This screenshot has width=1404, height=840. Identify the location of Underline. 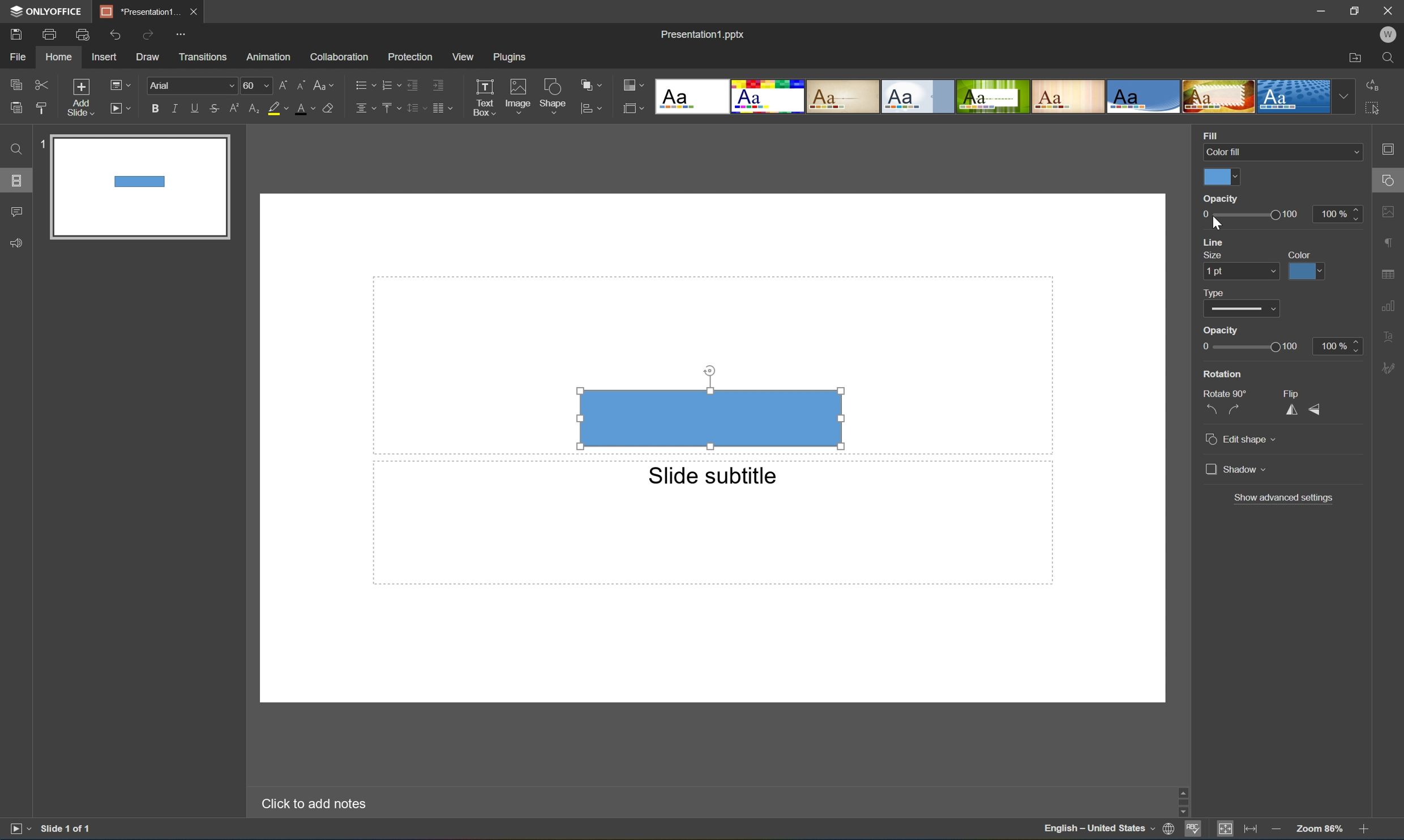
(194, 108).